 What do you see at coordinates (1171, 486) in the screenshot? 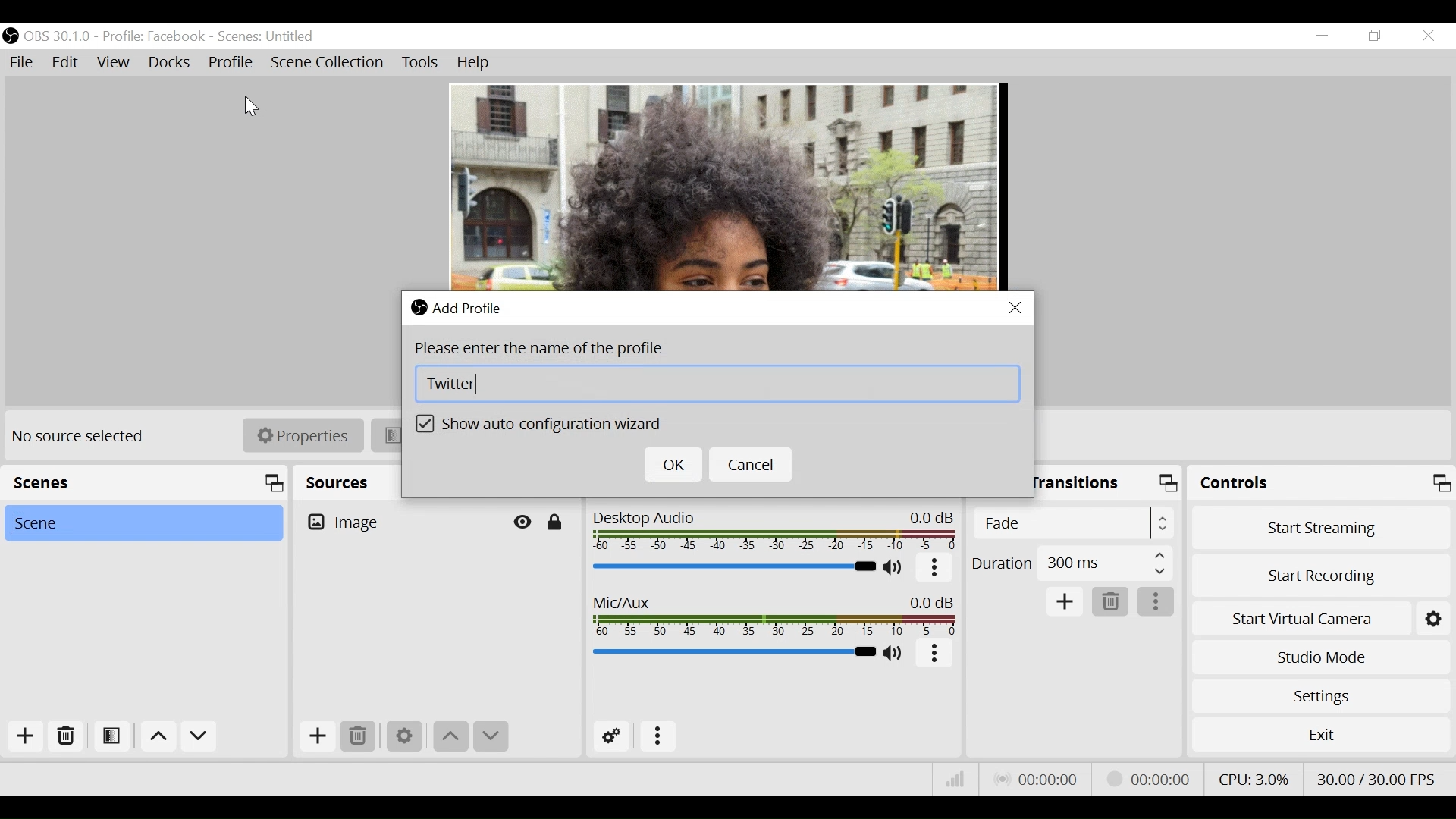
I see `Maximize` at bounding box center [1171, 486].